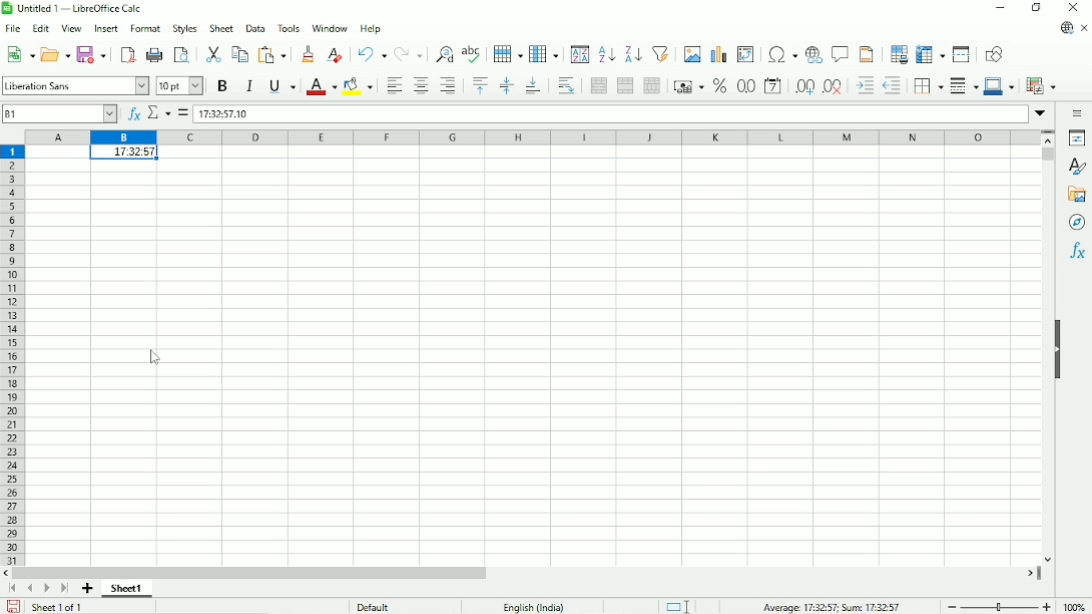 Image resolution: width=1092 pixels, height=614 pixels. Describe the element at coordinates (473, 52) in the screenshot. I see `Spell check` at that location.